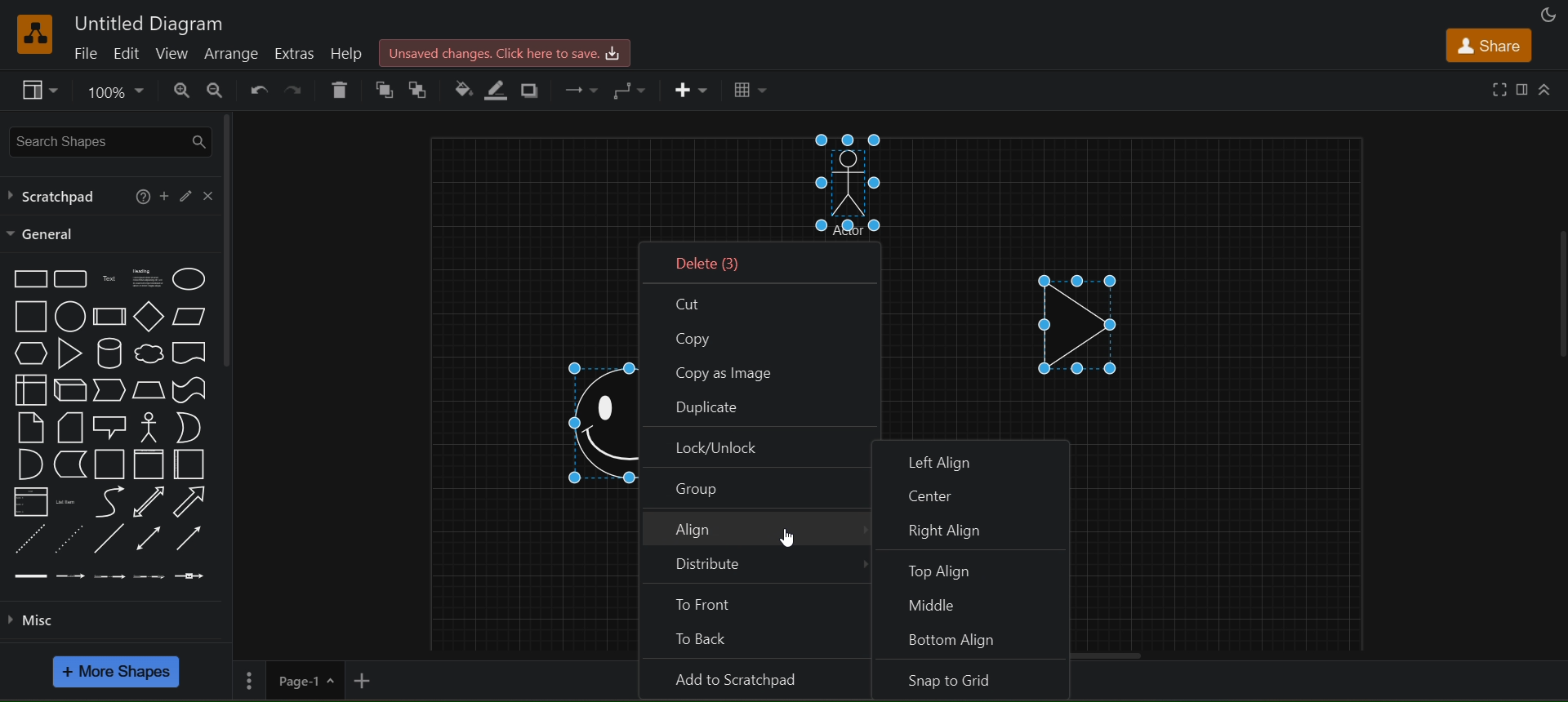  What do you see at coordinates (110, 390) in the screenshot?
I see `step` at bounding box center [110, 390].